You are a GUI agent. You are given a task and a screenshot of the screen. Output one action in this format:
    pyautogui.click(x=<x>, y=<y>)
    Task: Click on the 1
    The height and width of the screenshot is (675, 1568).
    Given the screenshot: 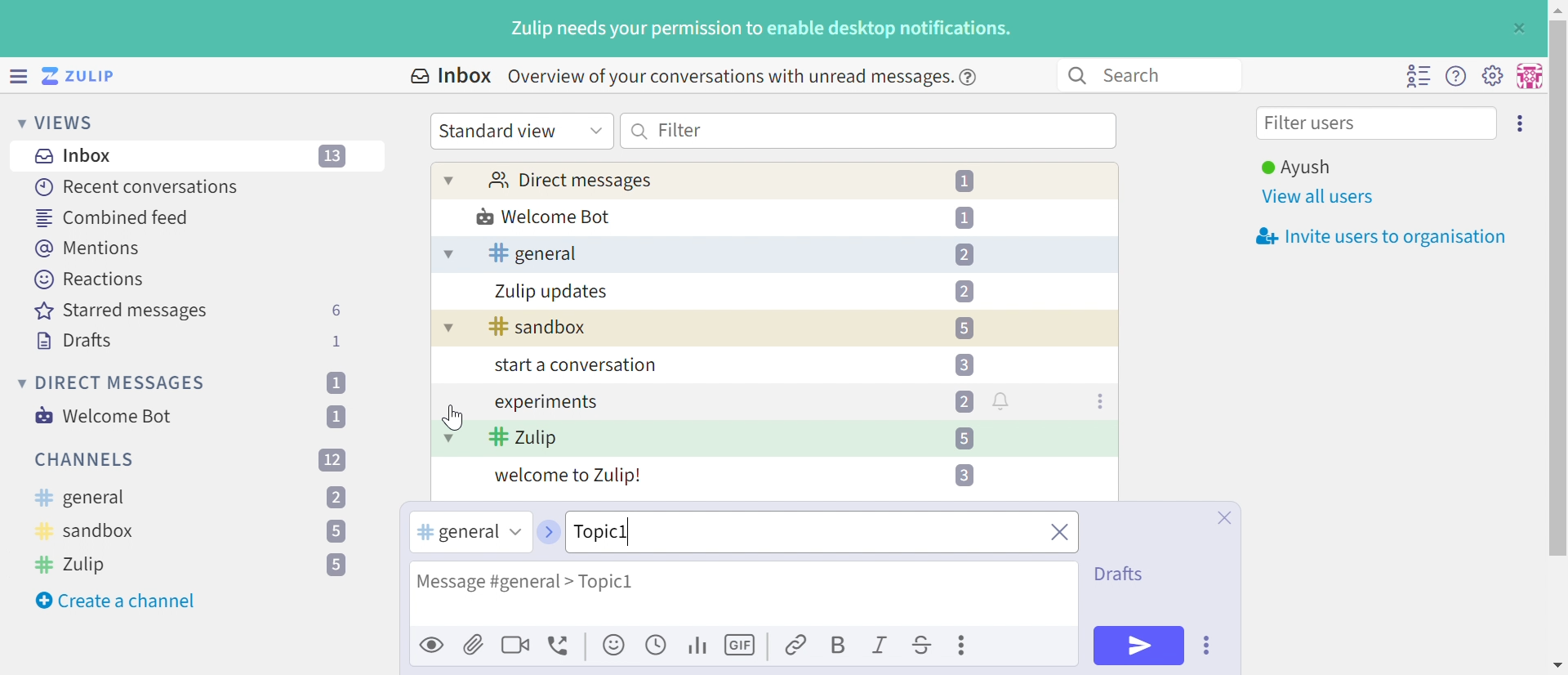 What is the action you would take?
    pyautogui.click(x=339, y=341)
    